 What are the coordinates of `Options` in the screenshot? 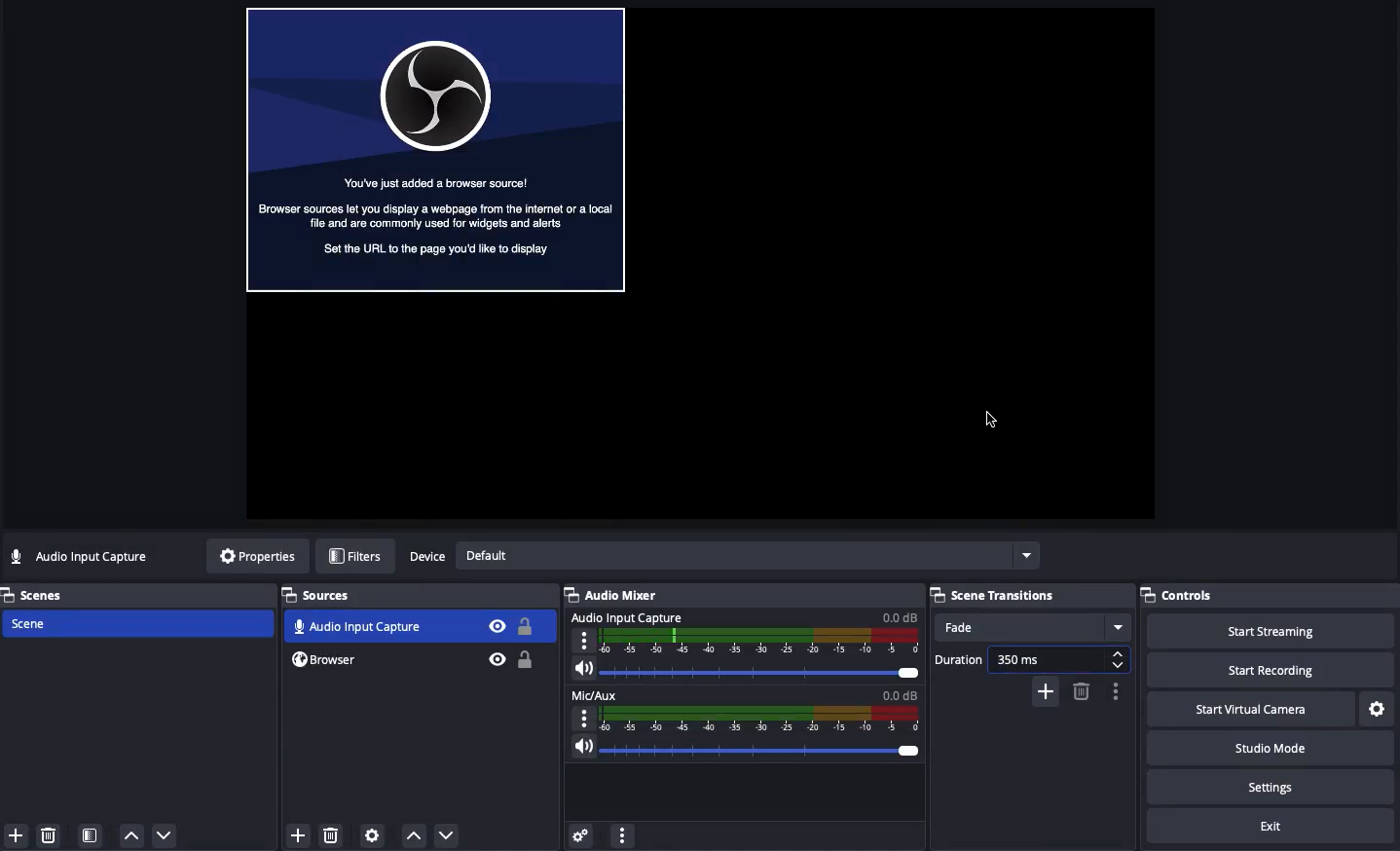 It's located at (622, 832).